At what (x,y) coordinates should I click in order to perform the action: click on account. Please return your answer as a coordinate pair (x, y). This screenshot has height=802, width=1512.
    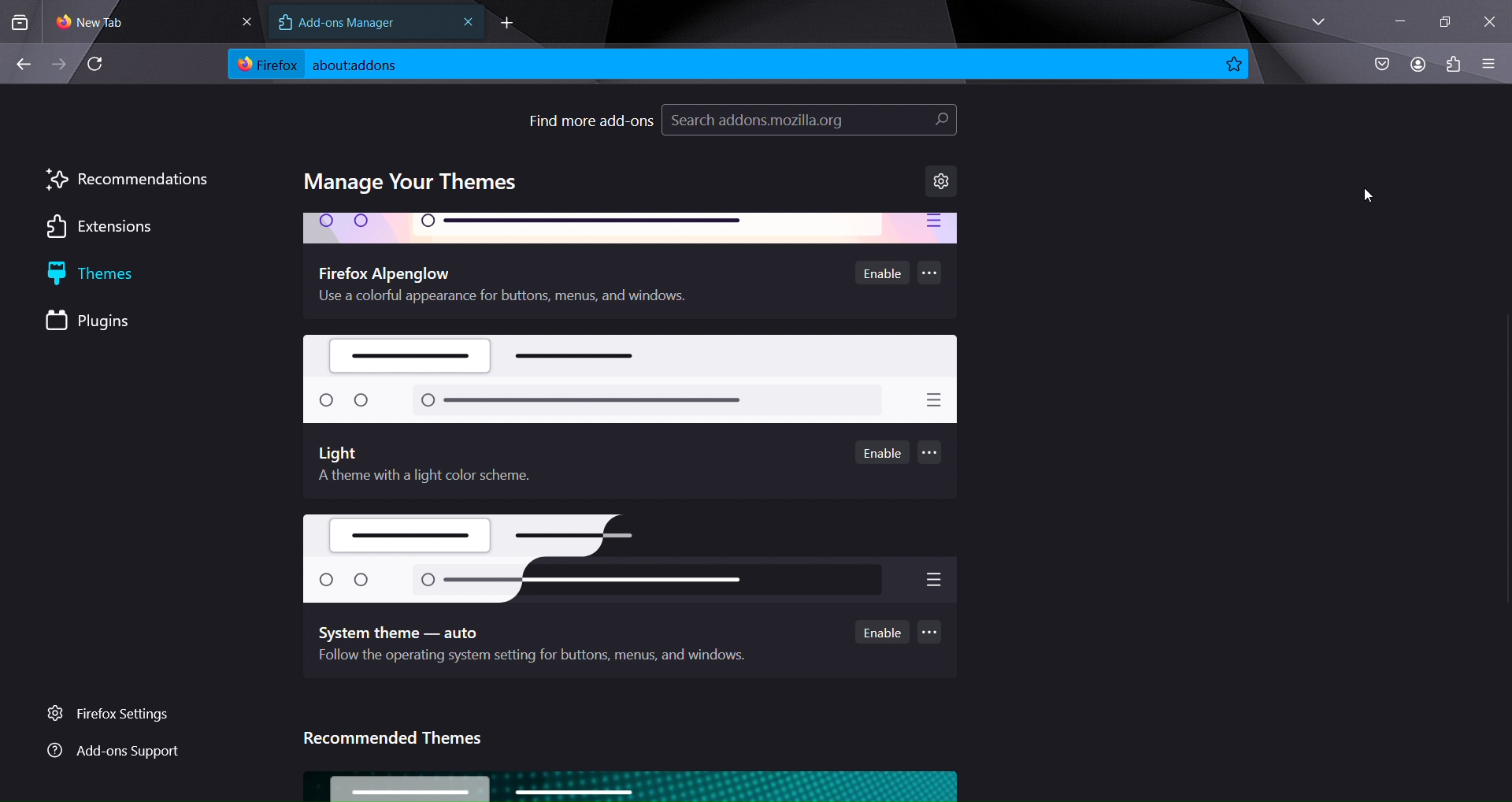
    Looking at the image, I should click on (1417, 65).